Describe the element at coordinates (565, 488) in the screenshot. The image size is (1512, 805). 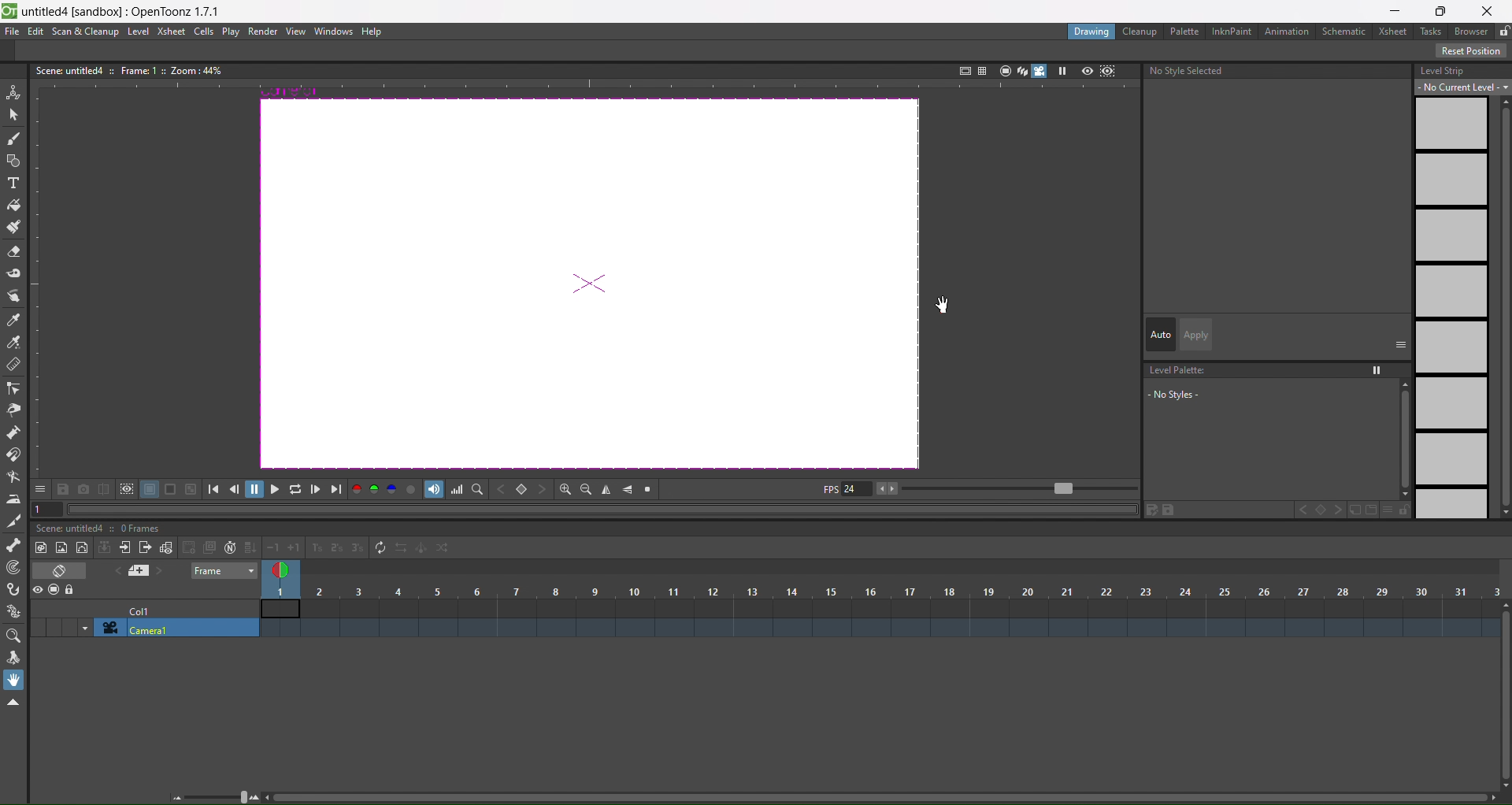
I see `zoomin` at that location.